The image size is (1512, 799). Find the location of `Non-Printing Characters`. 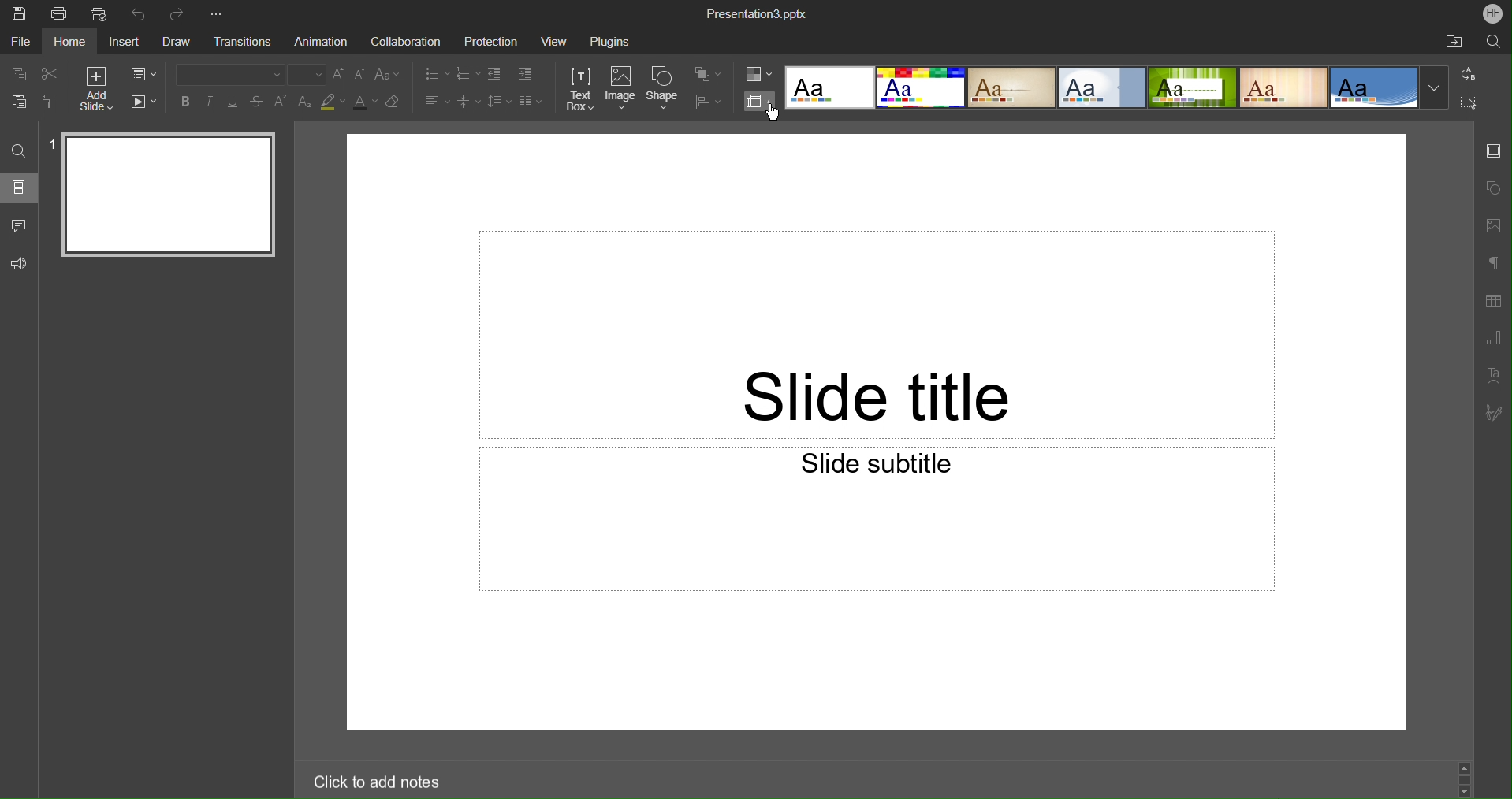

Non-Printing Characters is located at coordinates (1493, 262).